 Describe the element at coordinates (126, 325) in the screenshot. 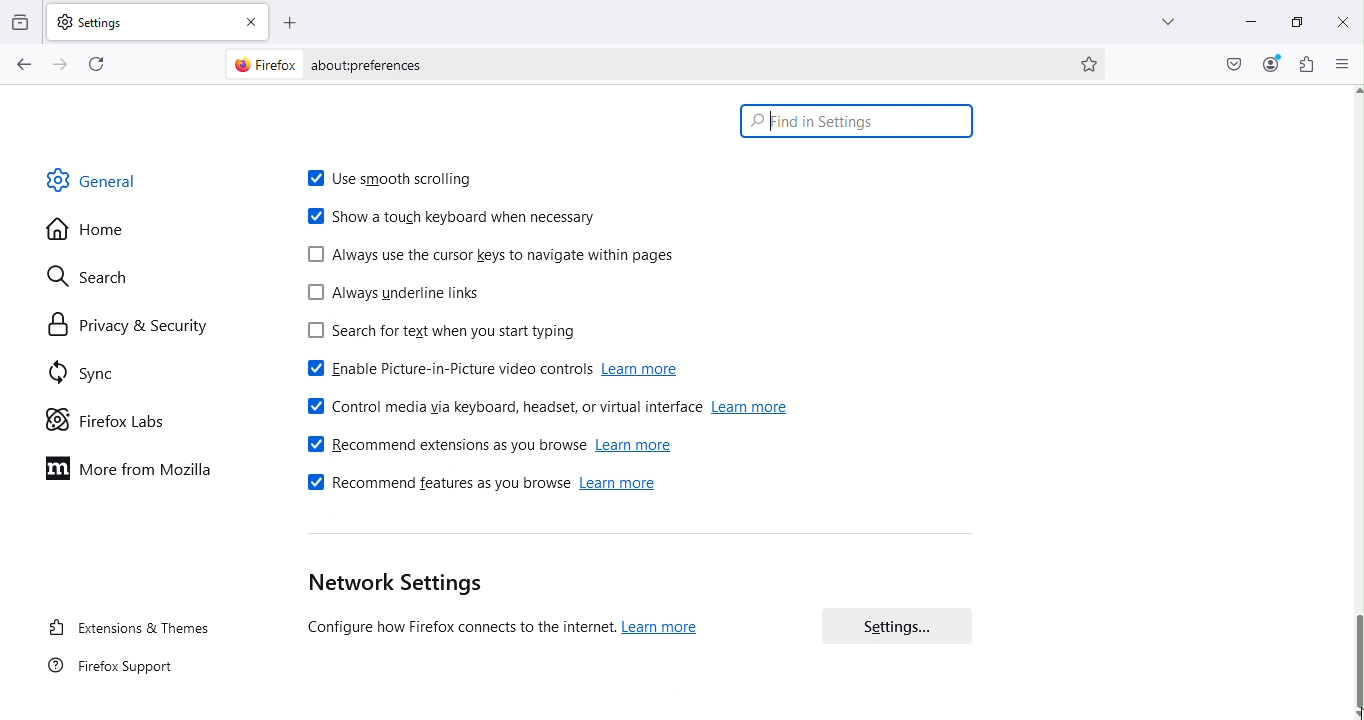

I see `Privacy and security` at that location.